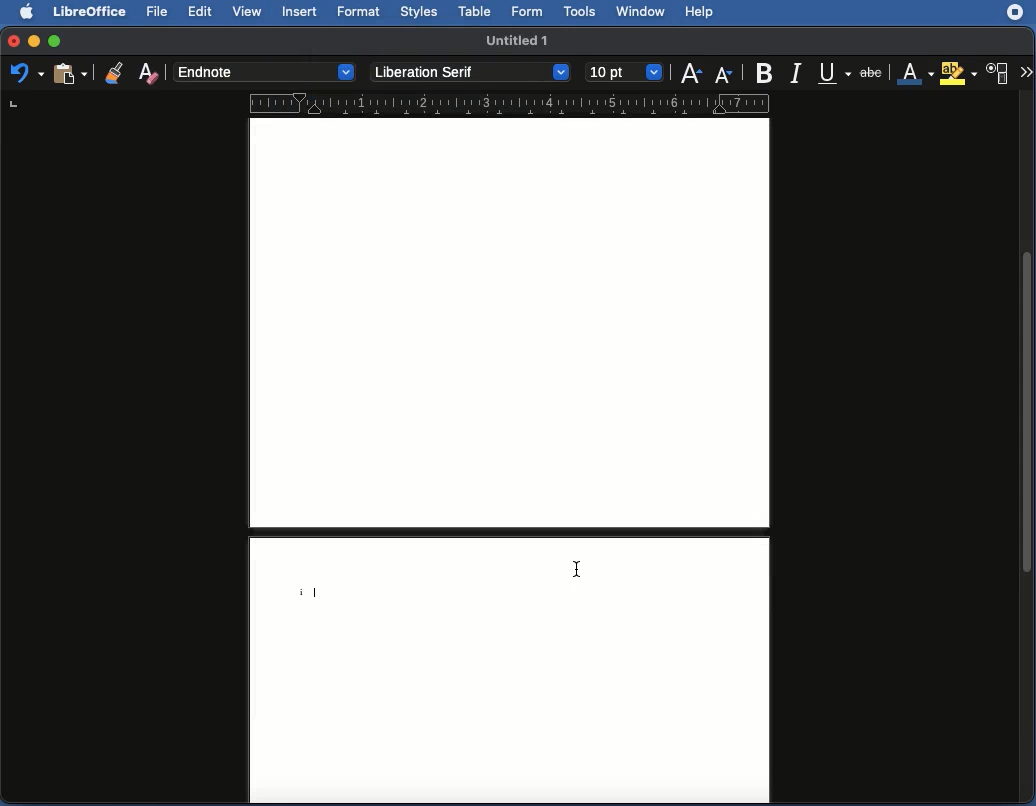  What do you see at coordinates (997, 74) in the screenshot?
I see `Character` at bounding box center [997, 74].